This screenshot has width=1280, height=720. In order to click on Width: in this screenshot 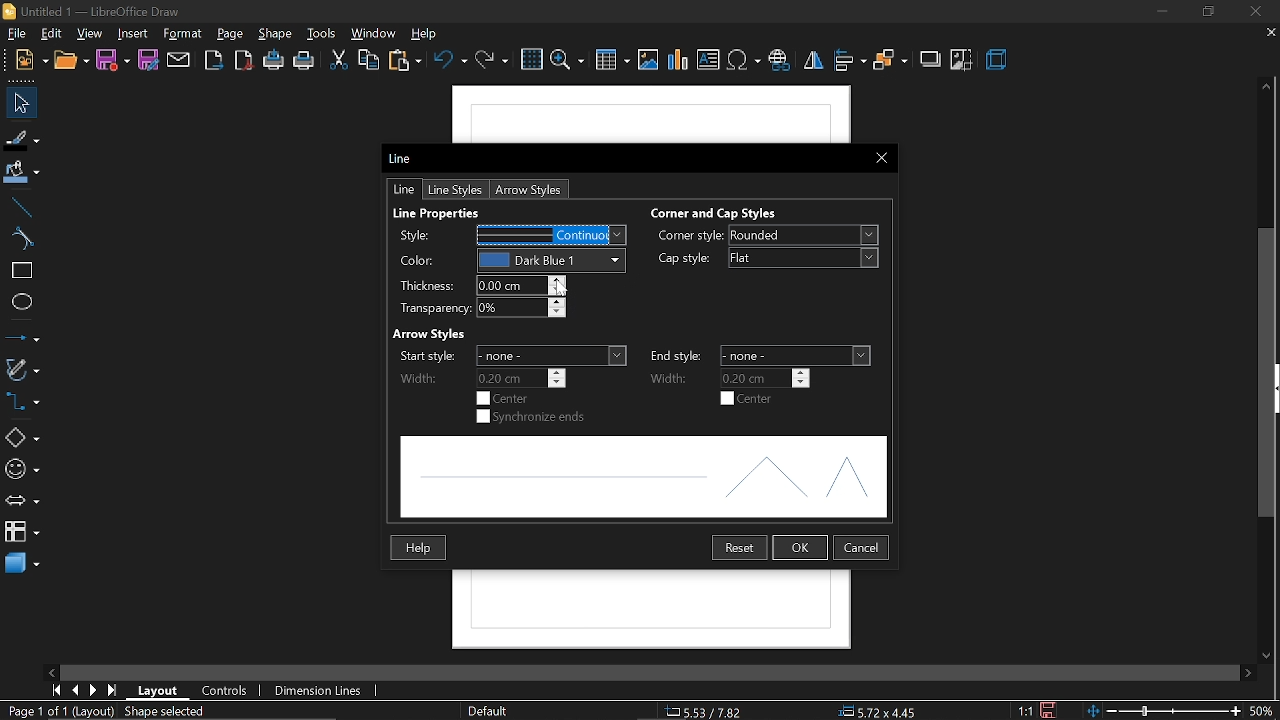, I will do `click(419, 379)`.